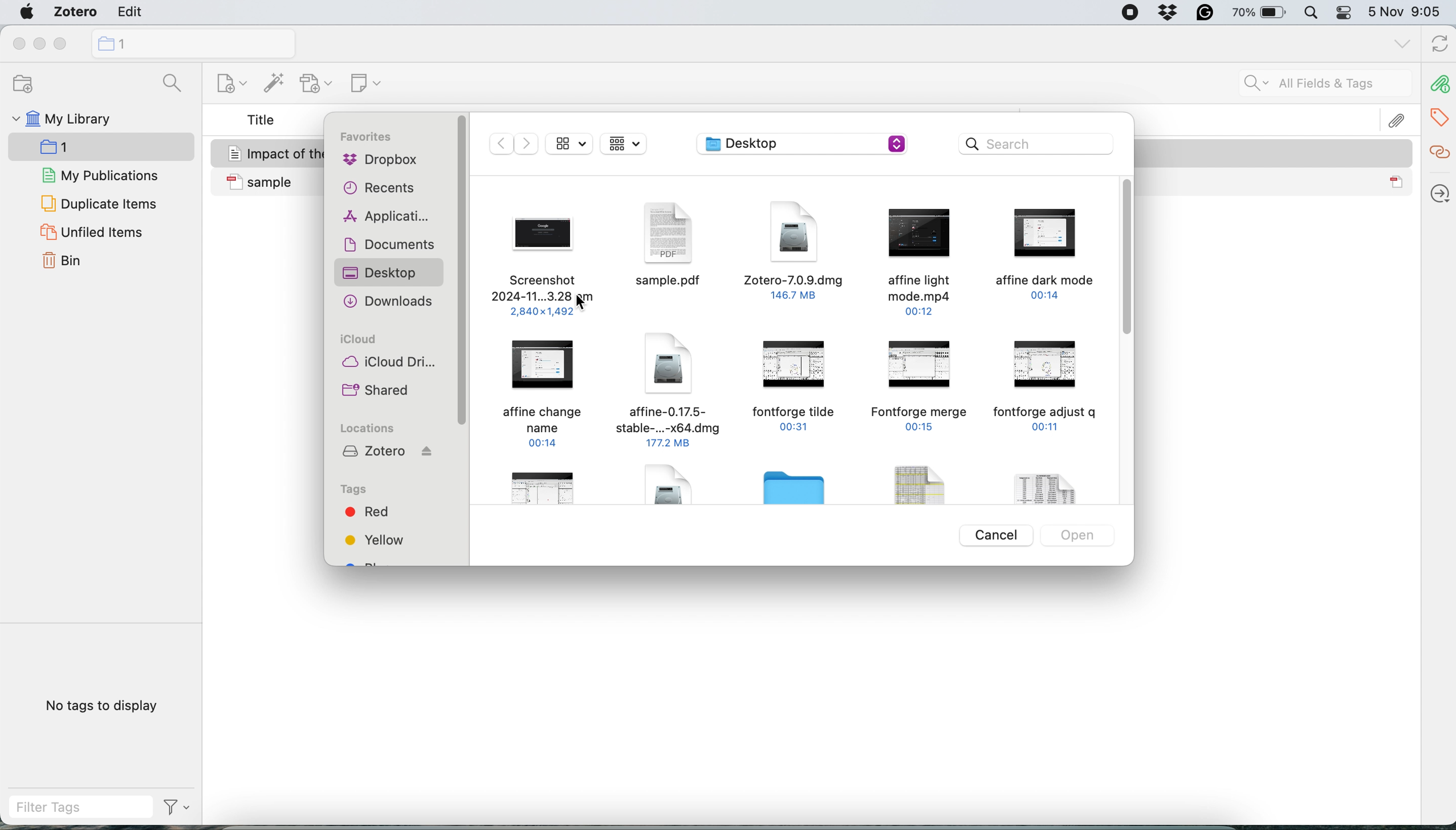  Describe the element at coordinates (223, 86) in the screenshot. I see `new collection` at that location.